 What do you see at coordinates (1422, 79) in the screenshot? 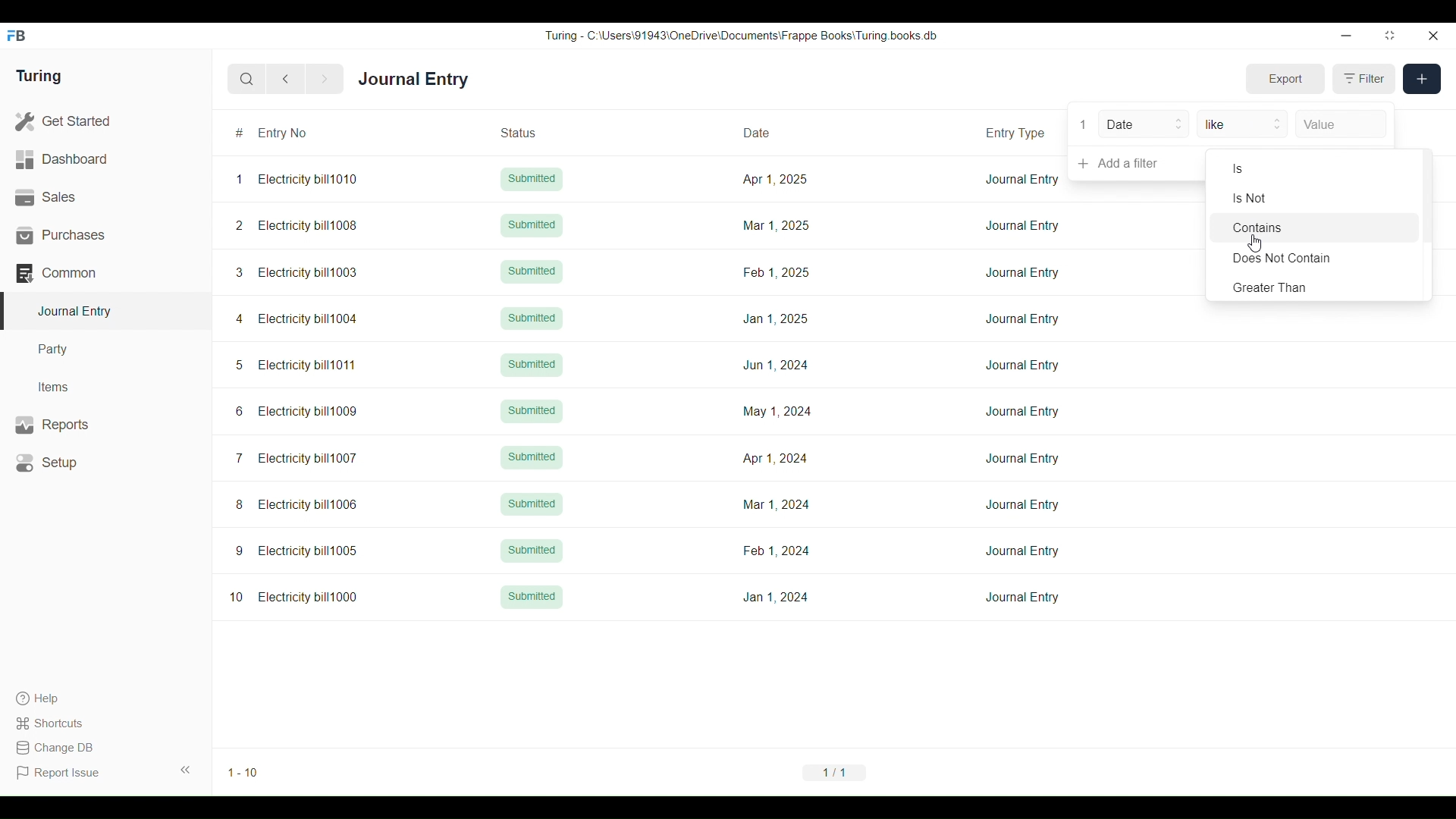
I see `New entry` at bounding box center [1422, 79].